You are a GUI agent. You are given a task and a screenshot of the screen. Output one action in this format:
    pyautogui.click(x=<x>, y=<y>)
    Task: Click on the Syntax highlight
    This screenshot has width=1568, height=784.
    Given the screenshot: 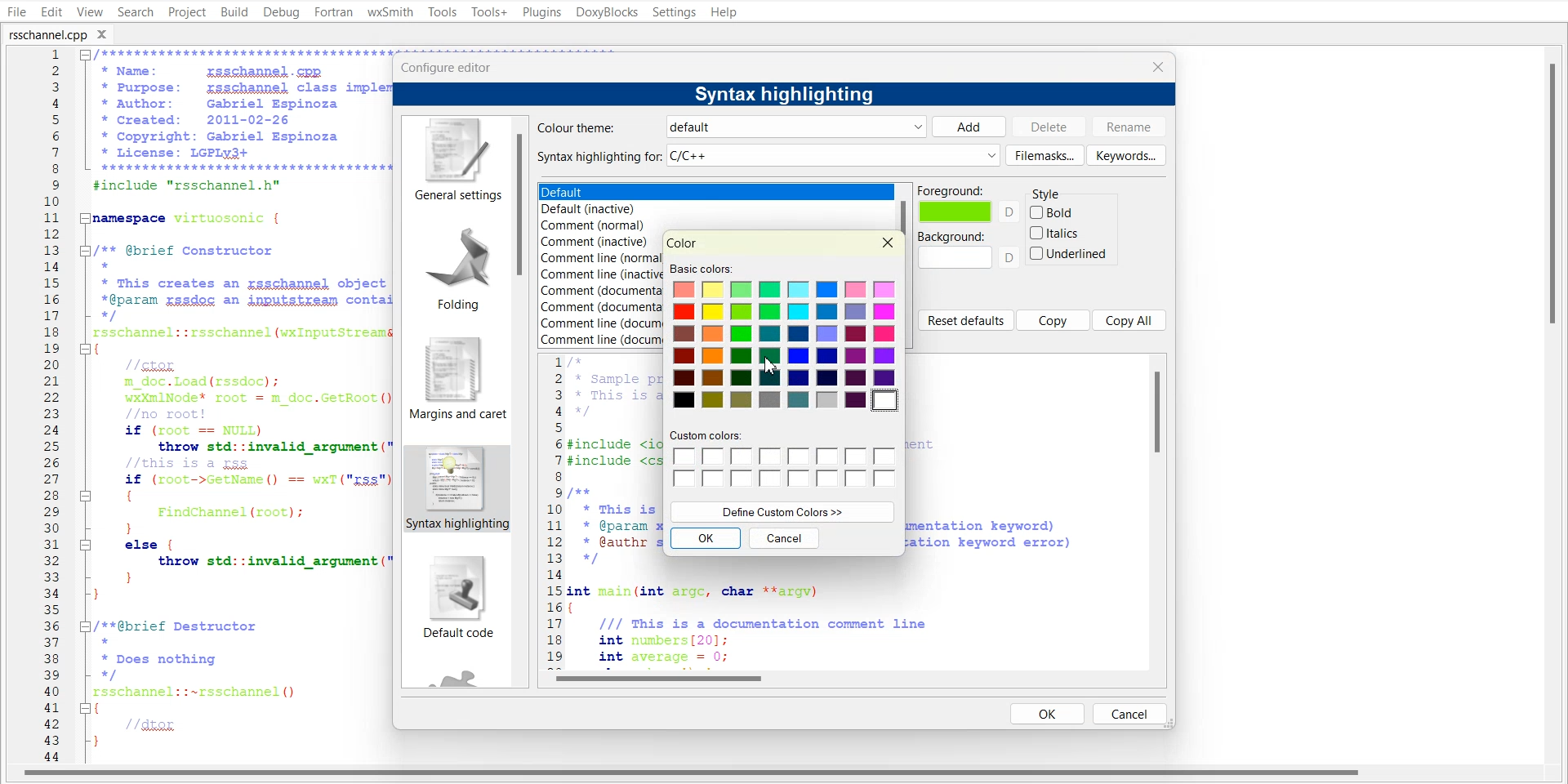 What is the action you would take?
    pyautogui.click(x=455, y=489)
    